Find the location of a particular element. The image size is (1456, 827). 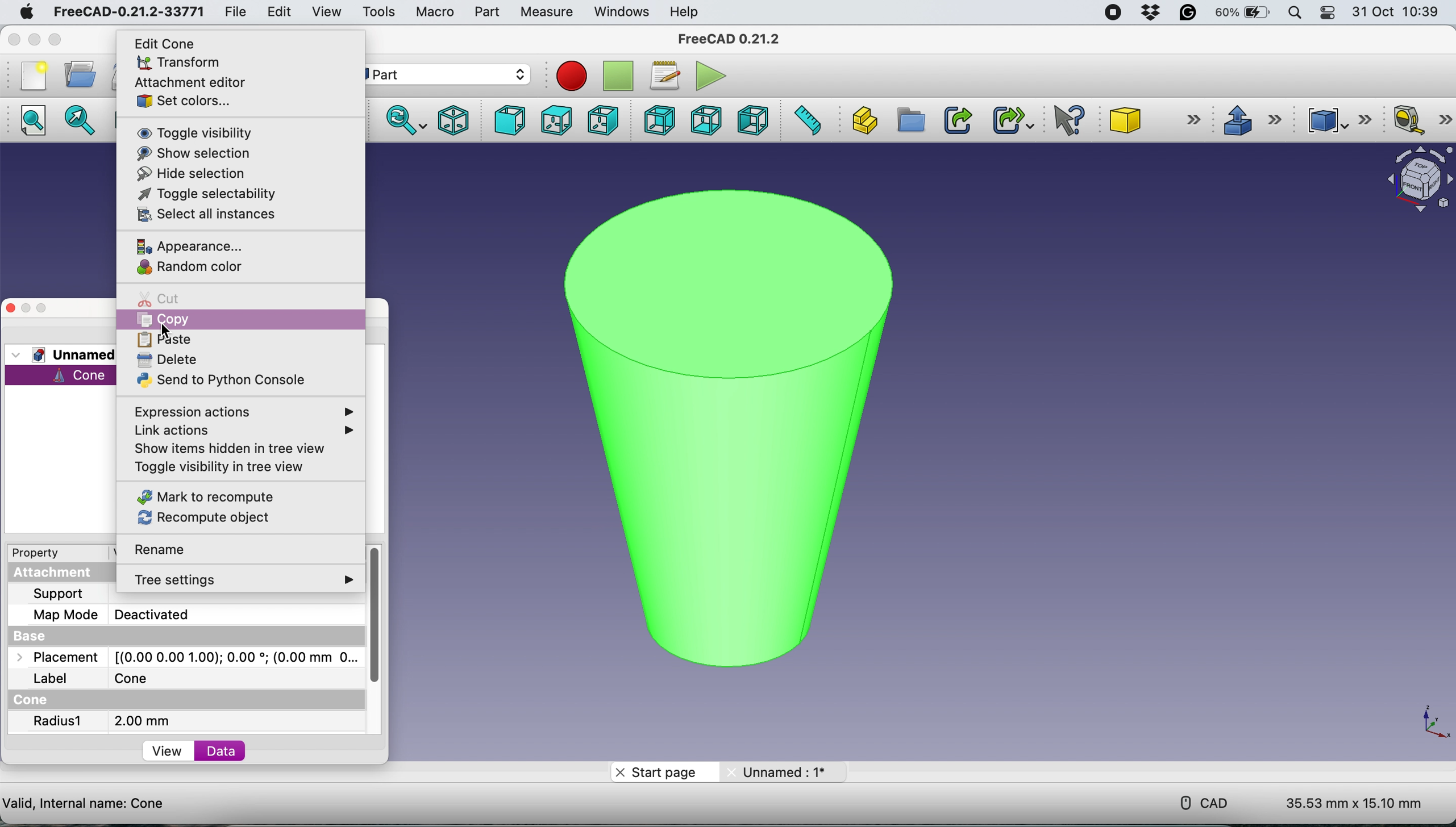

attachment is located at coordinates (66, 573).